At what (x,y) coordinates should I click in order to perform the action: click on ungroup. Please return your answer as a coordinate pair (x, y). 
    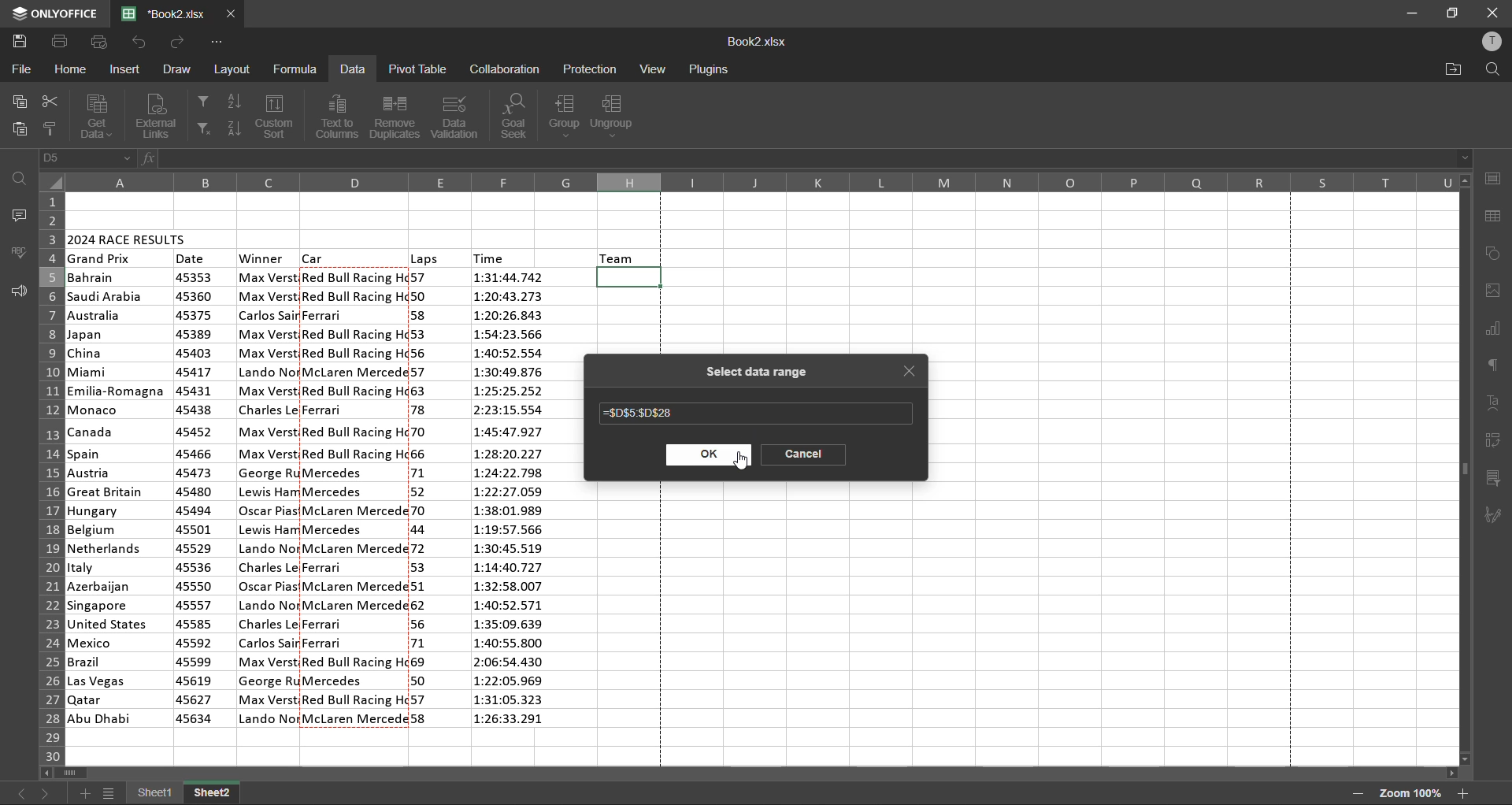
    Looking at the image, I should click on (618, 117).